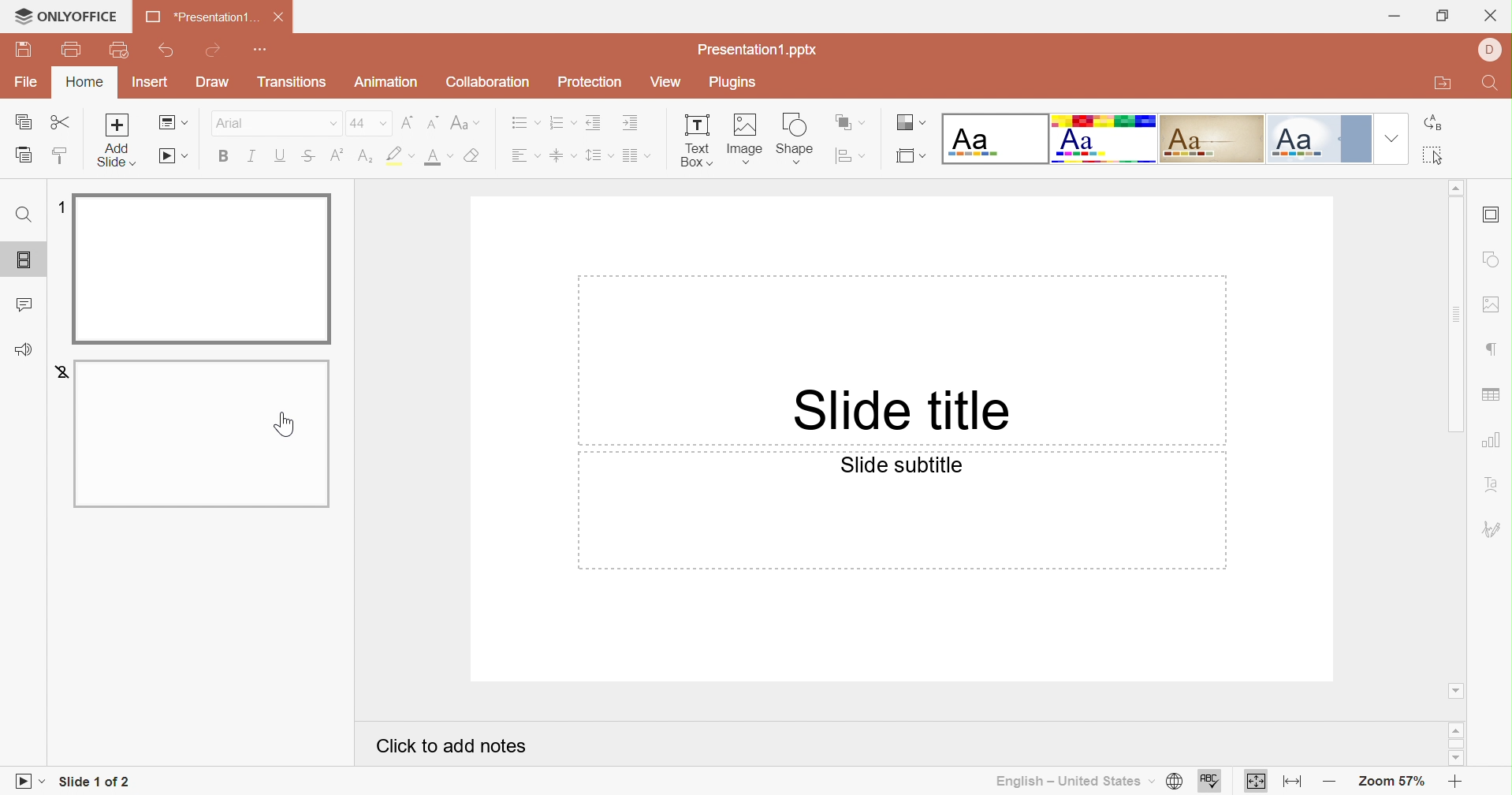  Describe the element at coordinates (1256, 782) in the screenshot. I see `Fit to slide` at that location.